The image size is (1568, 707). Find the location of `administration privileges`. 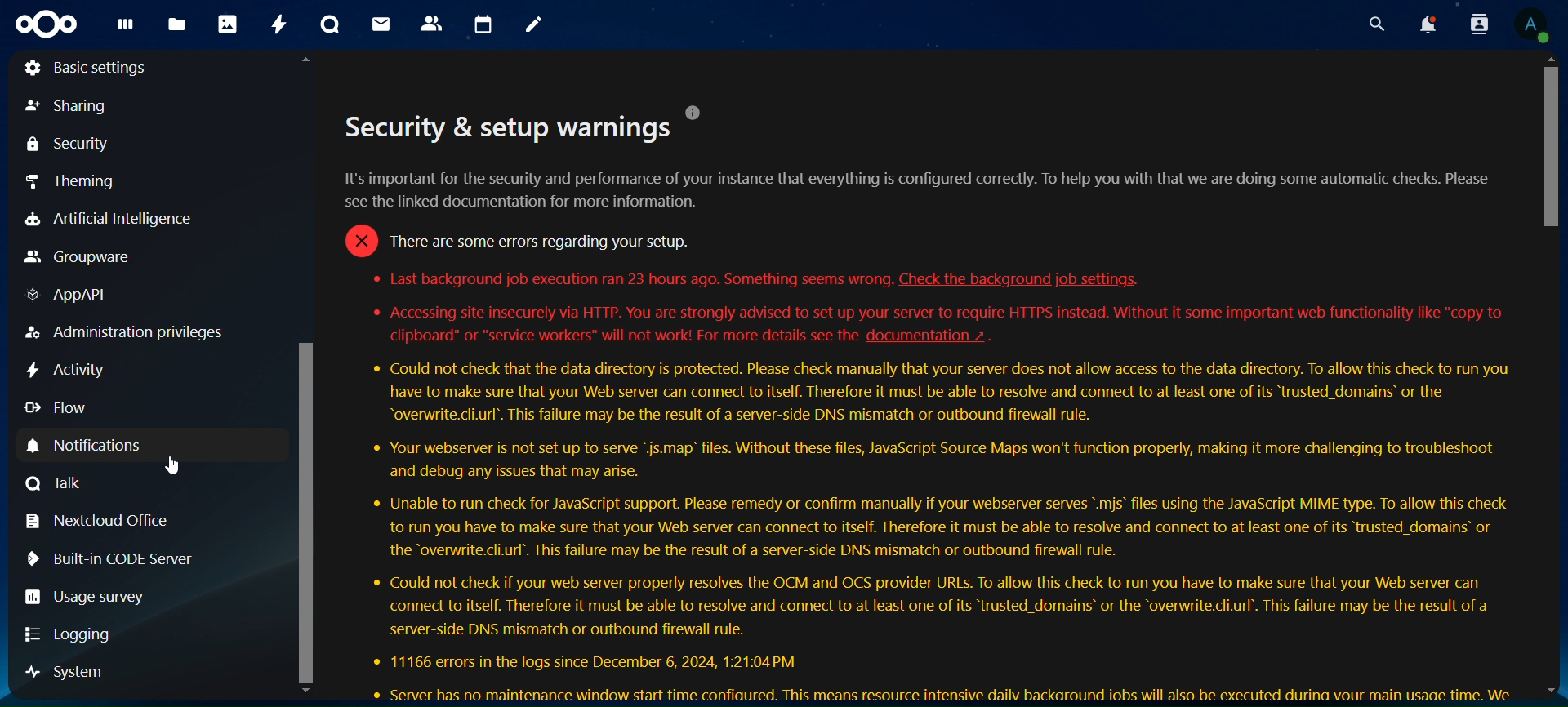

administration privileges is located at coordinates (122, 331).